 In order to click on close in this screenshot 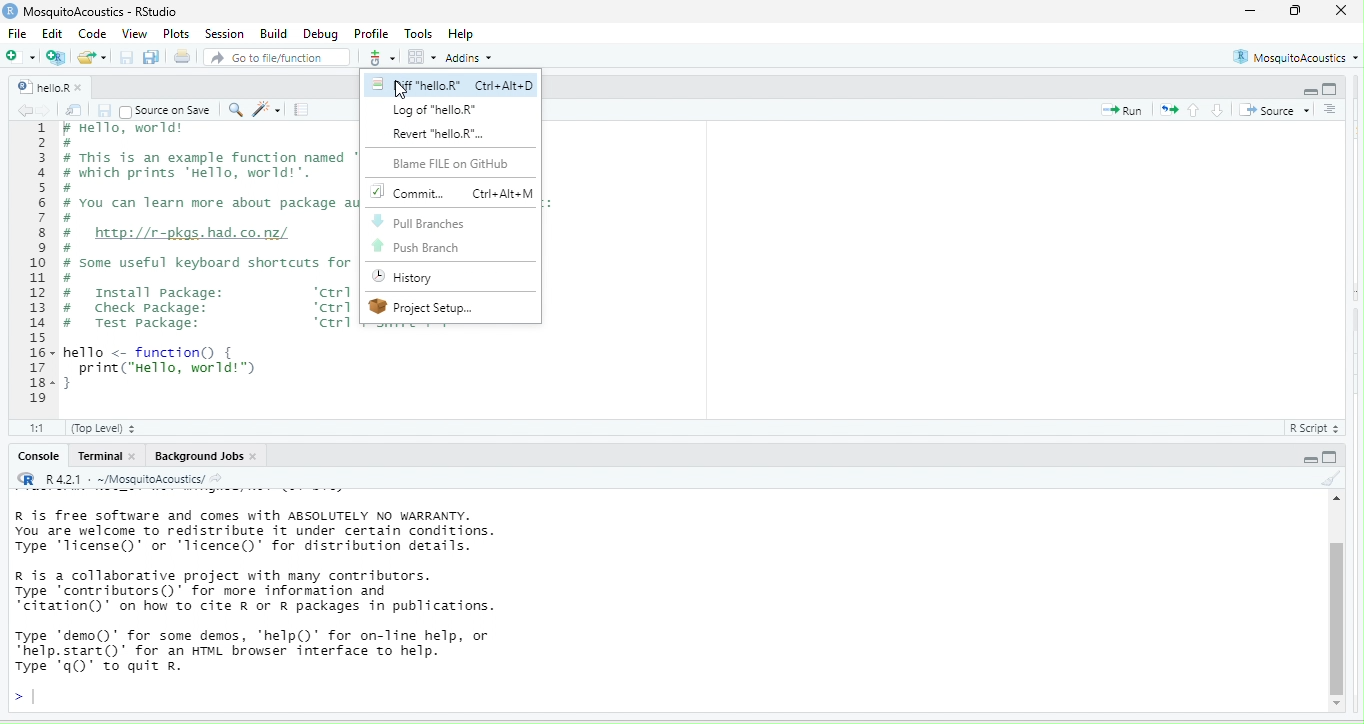, I will do `click(84, 88)`.